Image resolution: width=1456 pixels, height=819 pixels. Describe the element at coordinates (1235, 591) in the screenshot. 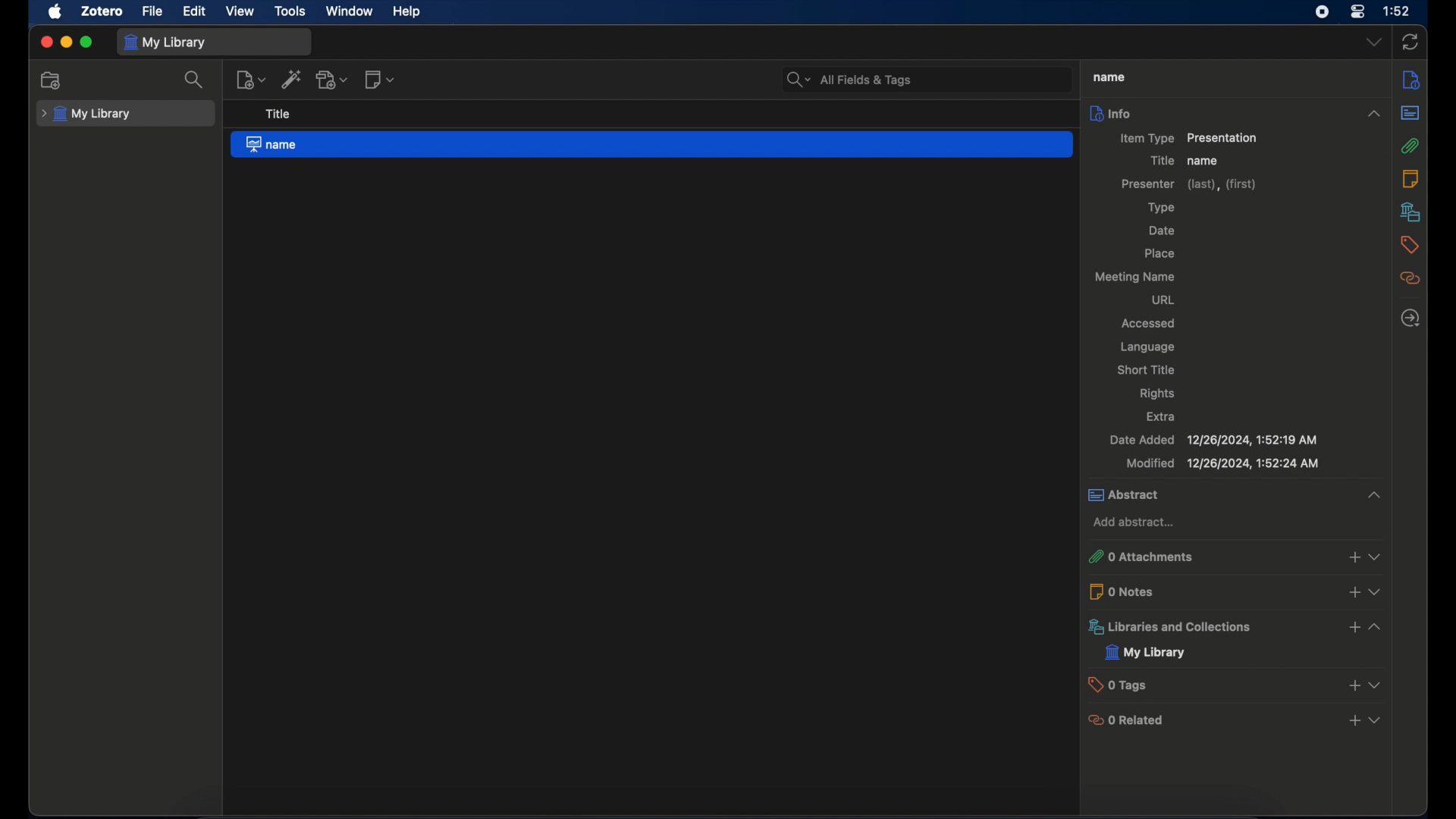

I see `0 notes` at that location.